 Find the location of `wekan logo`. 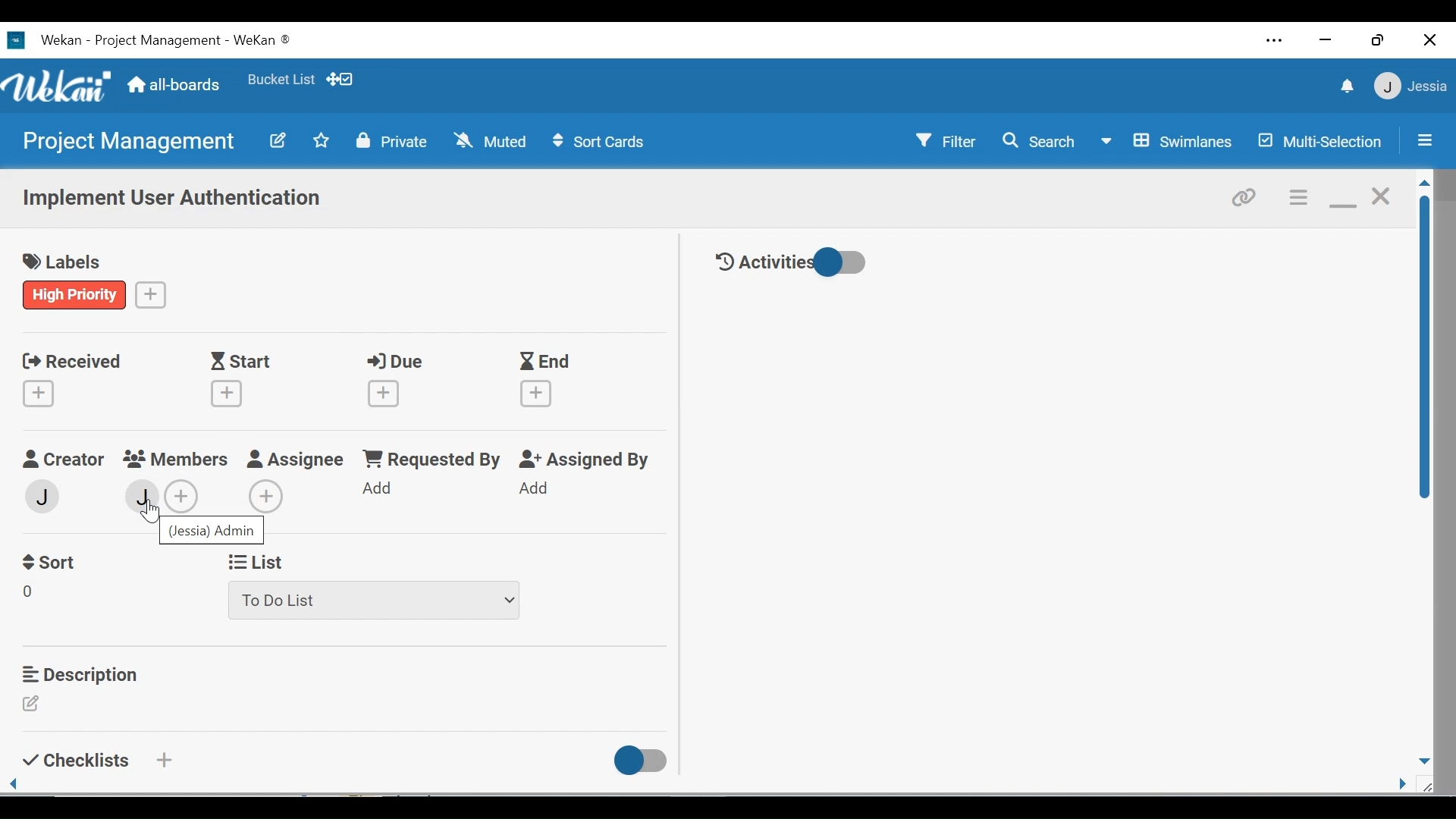

wekan logo is located at coordinates (15, 40).